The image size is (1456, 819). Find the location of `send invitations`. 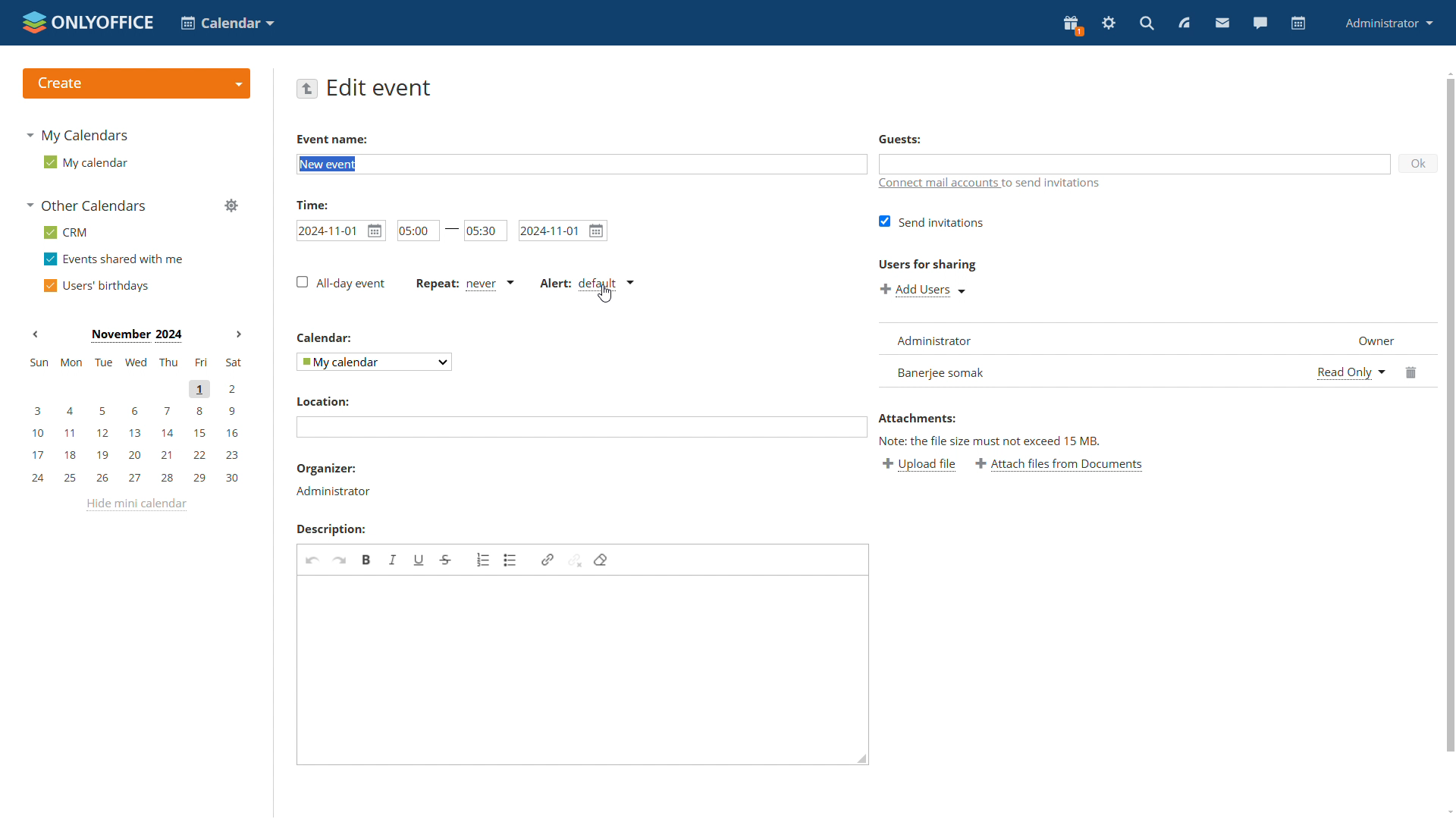

send invitations is located at coordinates (934, 221).